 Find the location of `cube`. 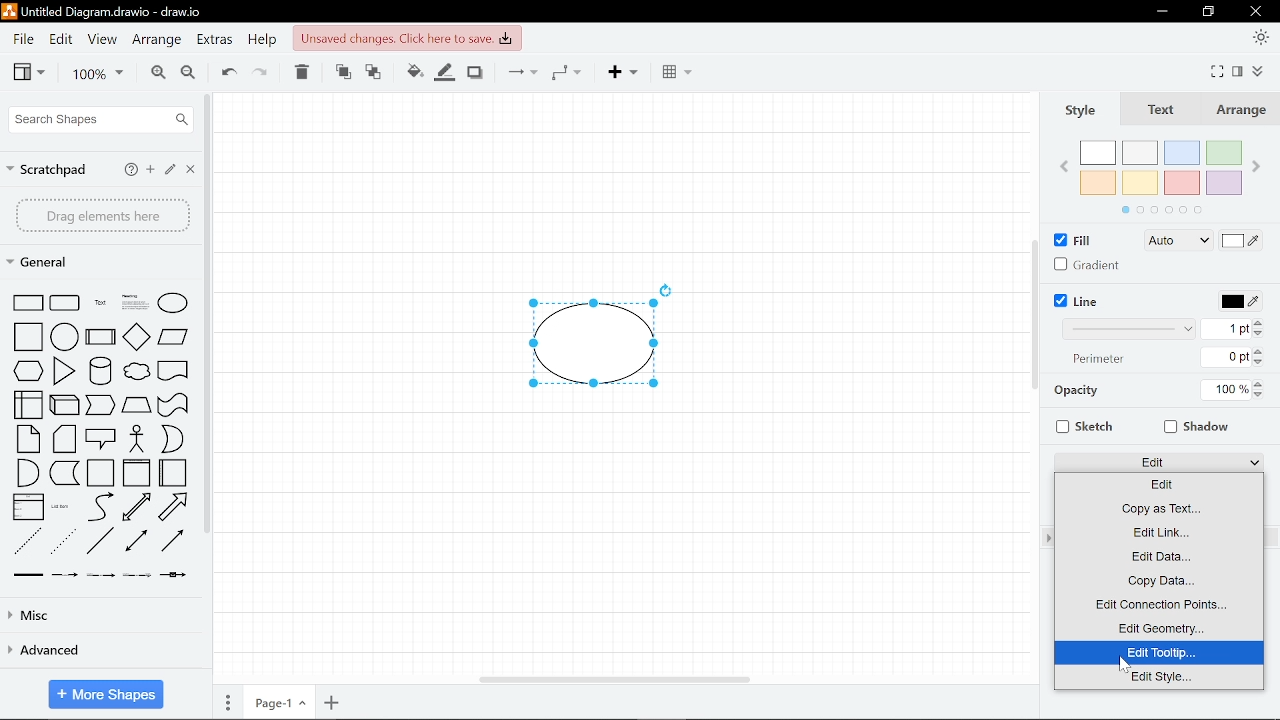

cube is located at coordinates (66, 406).